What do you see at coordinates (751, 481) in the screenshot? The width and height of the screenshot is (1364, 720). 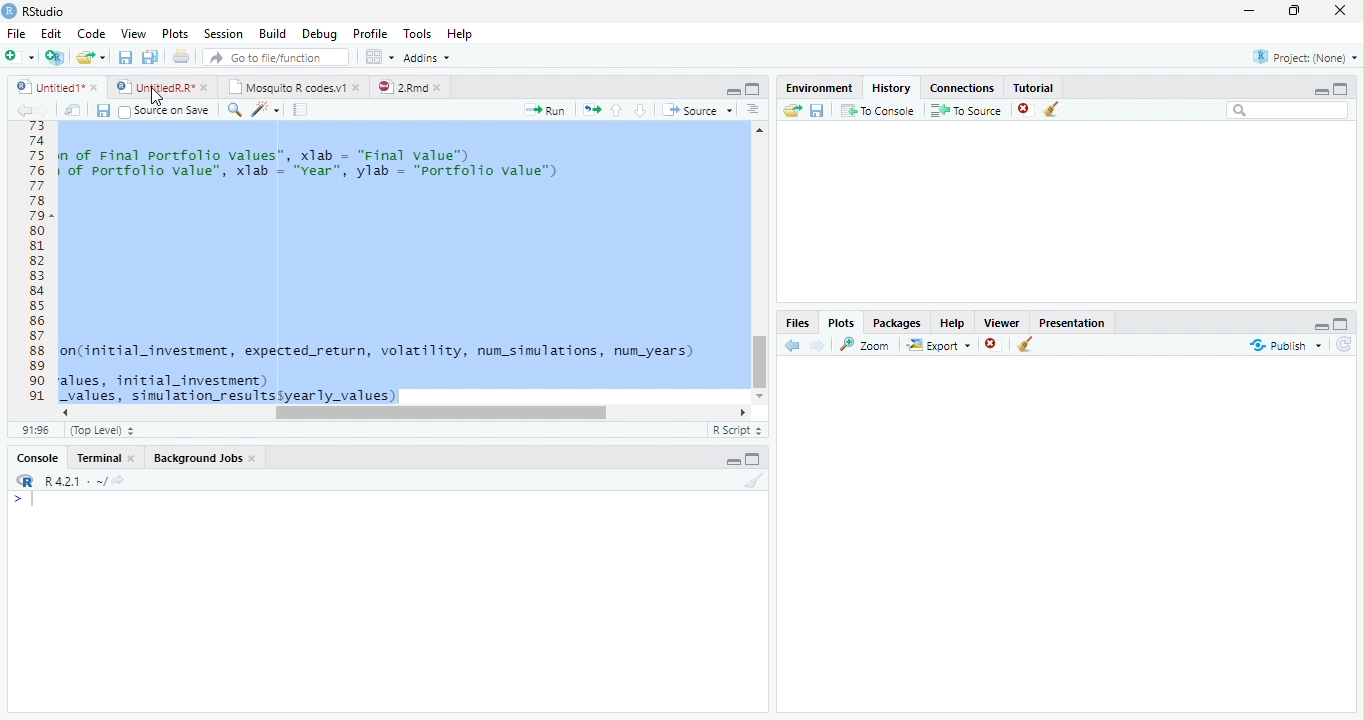 I see `Clear` at bounding box center [751, 481].